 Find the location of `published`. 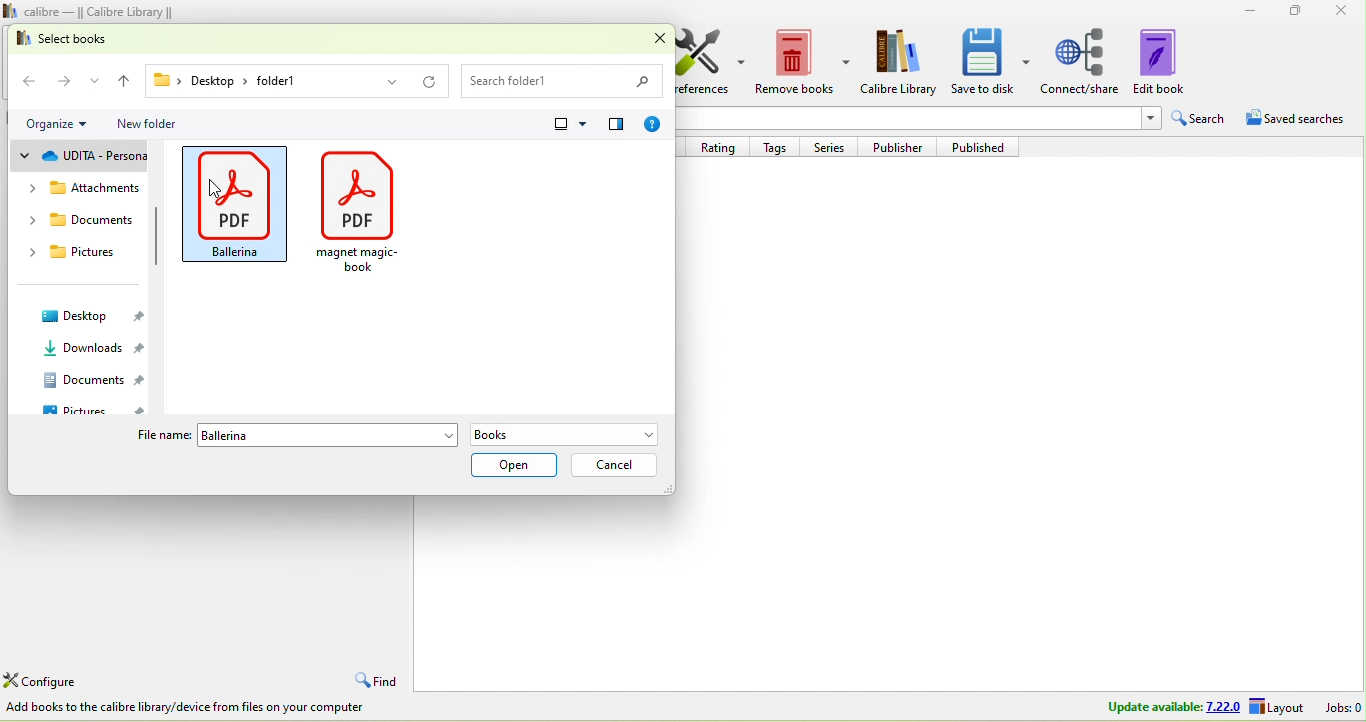

published is located at coordinates (985, 147).